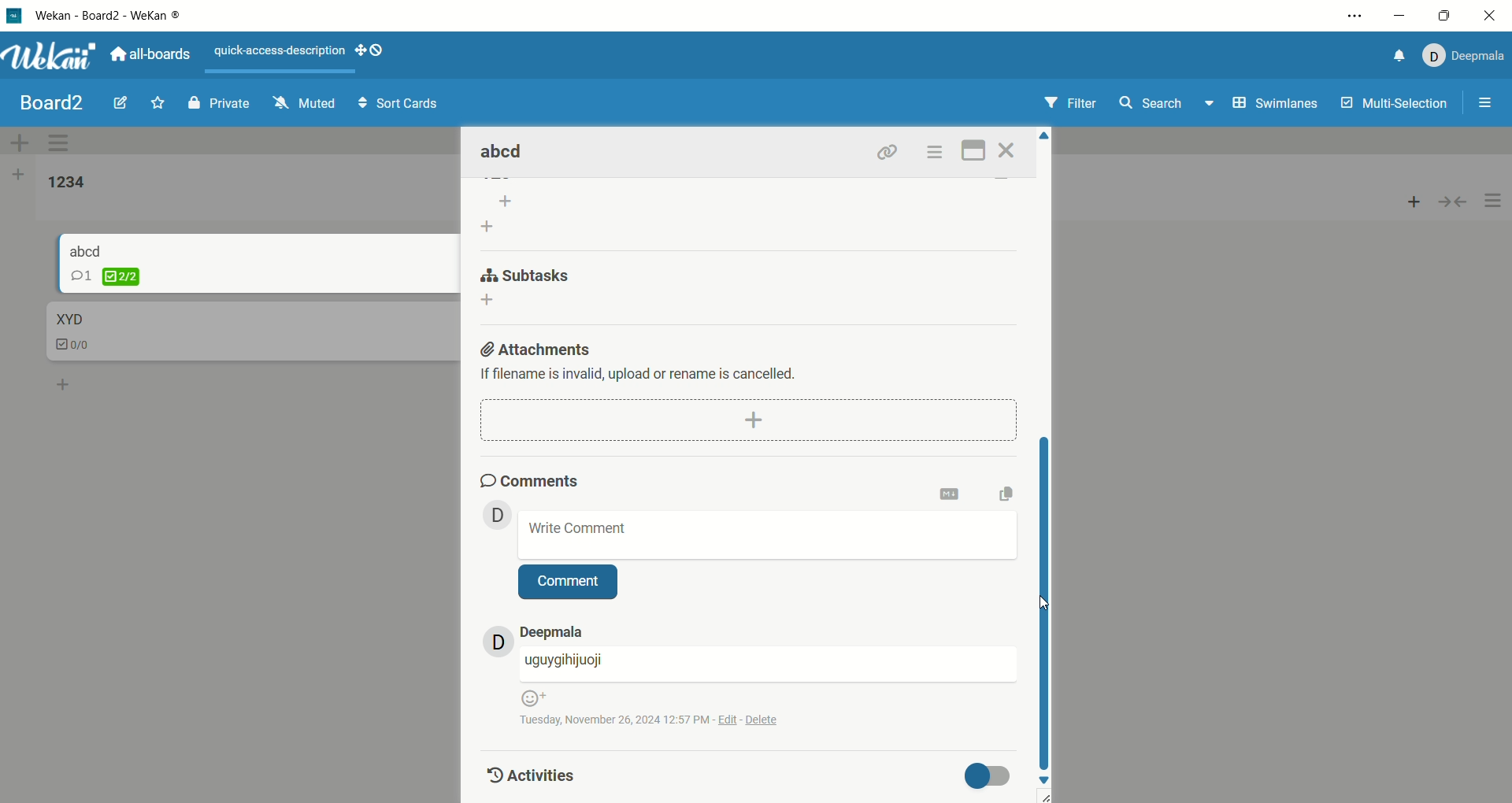 This screenshot has height=803, width=1512. Describe the element at coordinates (65, 382) in the screenshot. I see `add` at that location.